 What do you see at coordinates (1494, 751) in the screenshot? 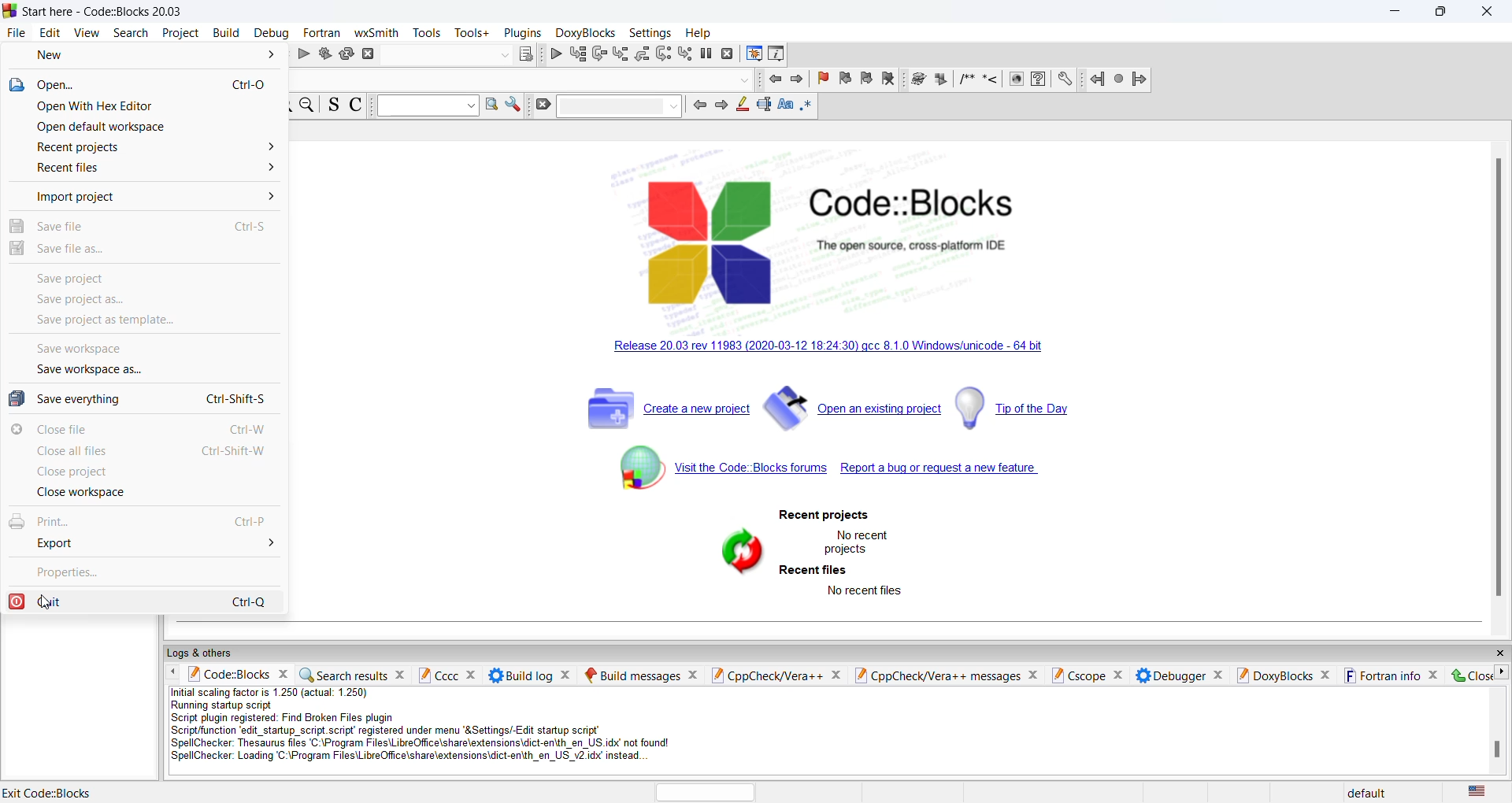
I see `scrollbar` at bounding box center [1494, 751].